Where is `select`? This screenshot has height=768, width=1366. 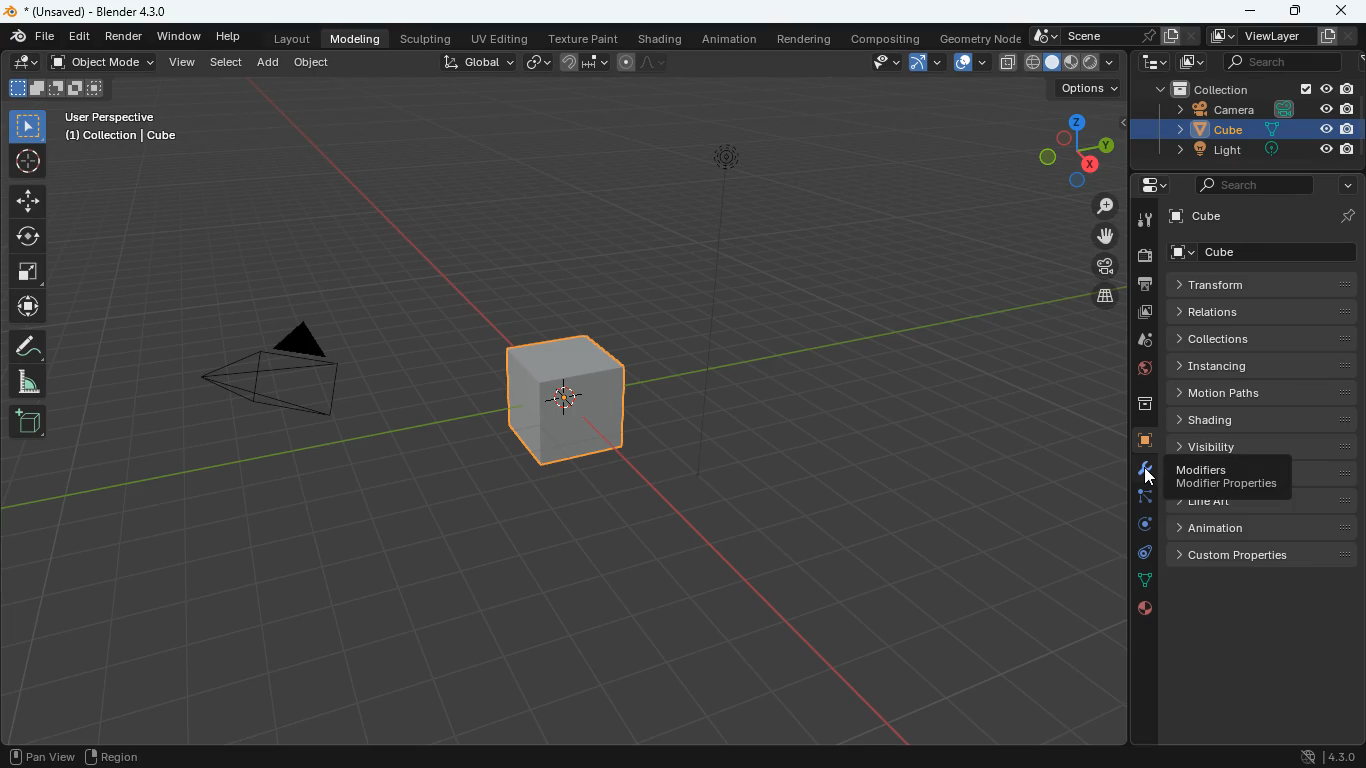
select is located at coordinates (30, 126).